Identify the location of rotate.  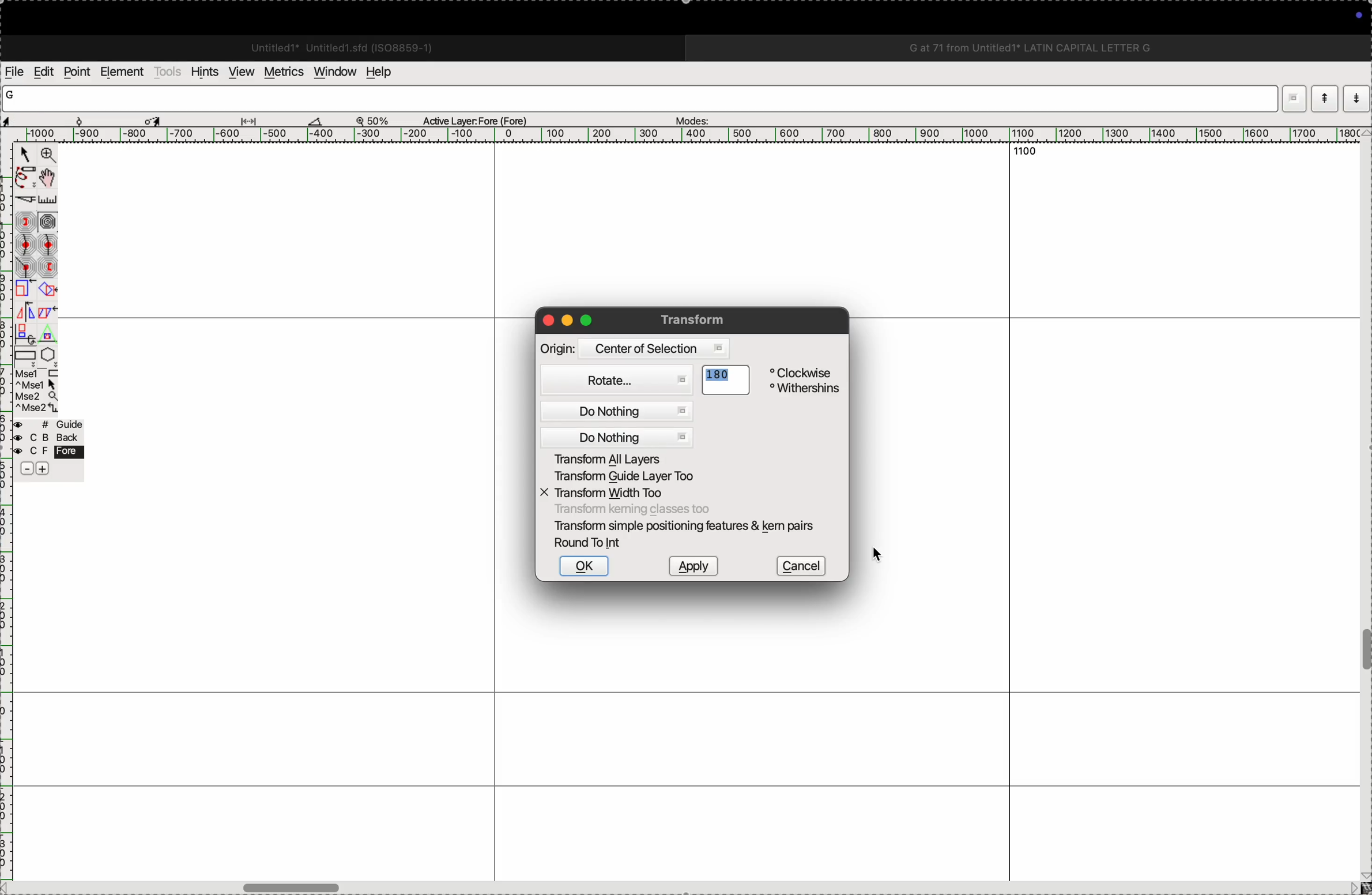
(47, 291).